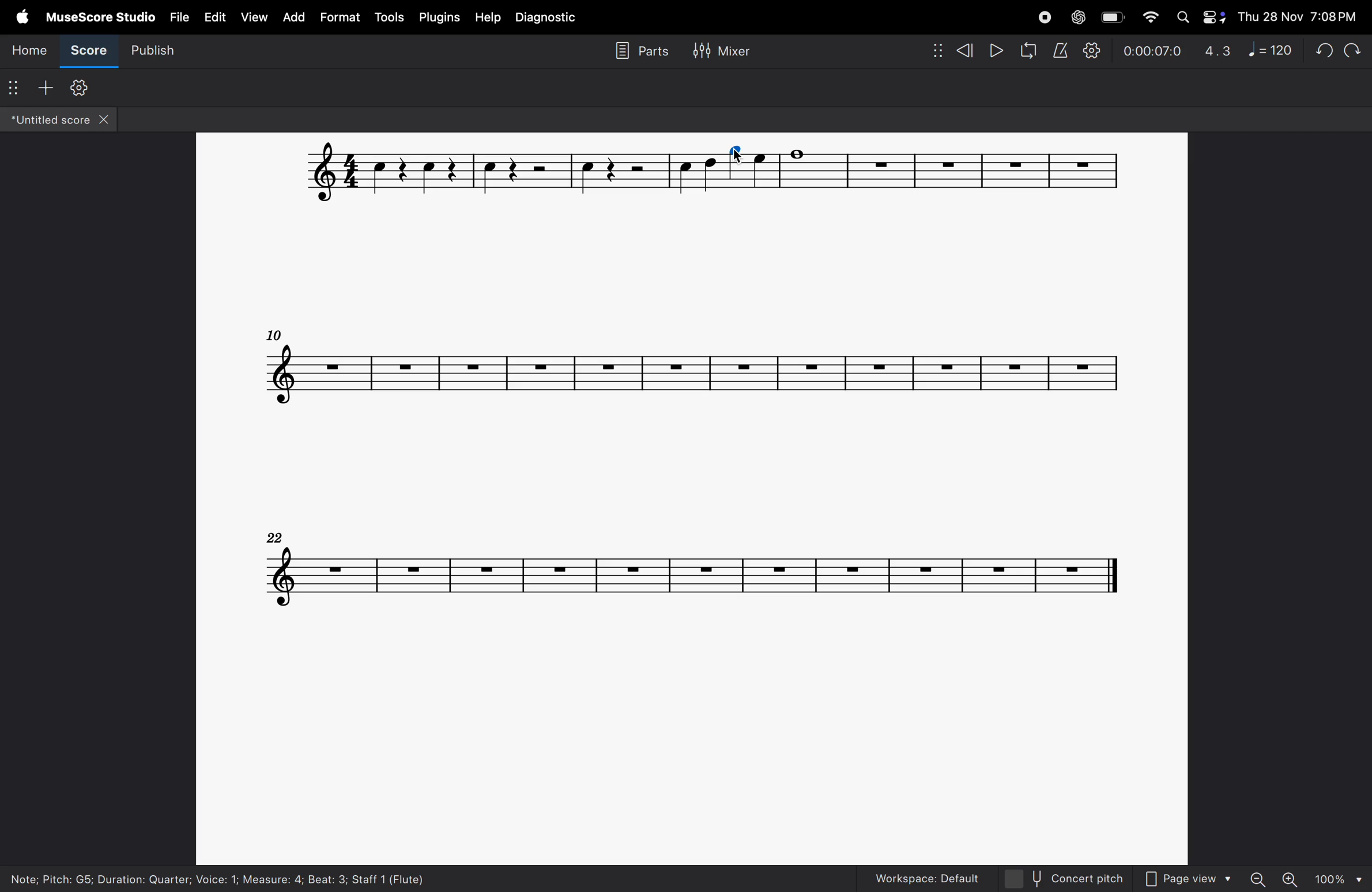 Image resolution: width=1372 pixels, height=892 pixels. What do you see at coordinates (638, 53) in the screenshot?
I see `parts` at bounding box center [638, 53].